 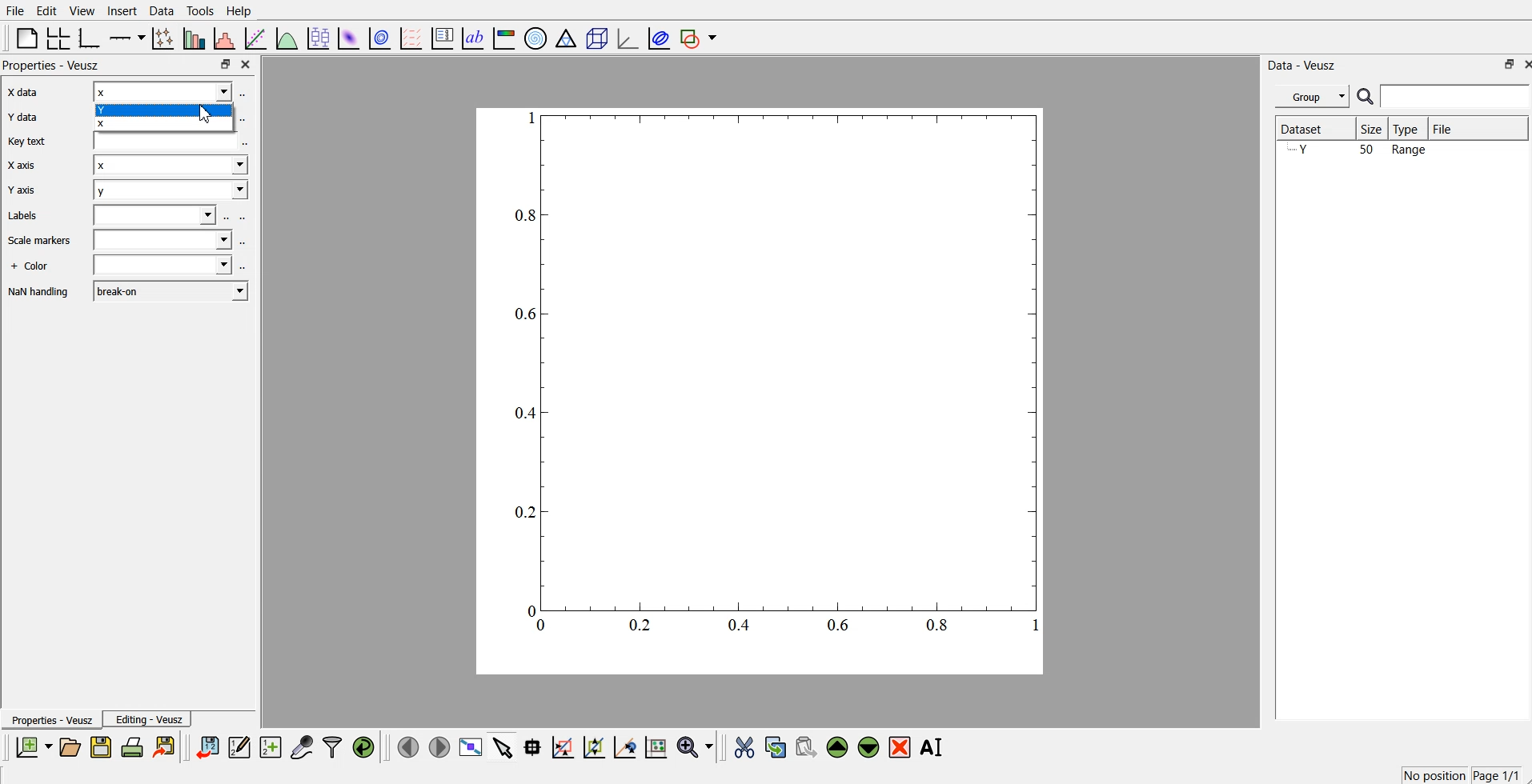 I want to click on draw a rectangle on zoomed graph axes, so click(x=563, y=749).